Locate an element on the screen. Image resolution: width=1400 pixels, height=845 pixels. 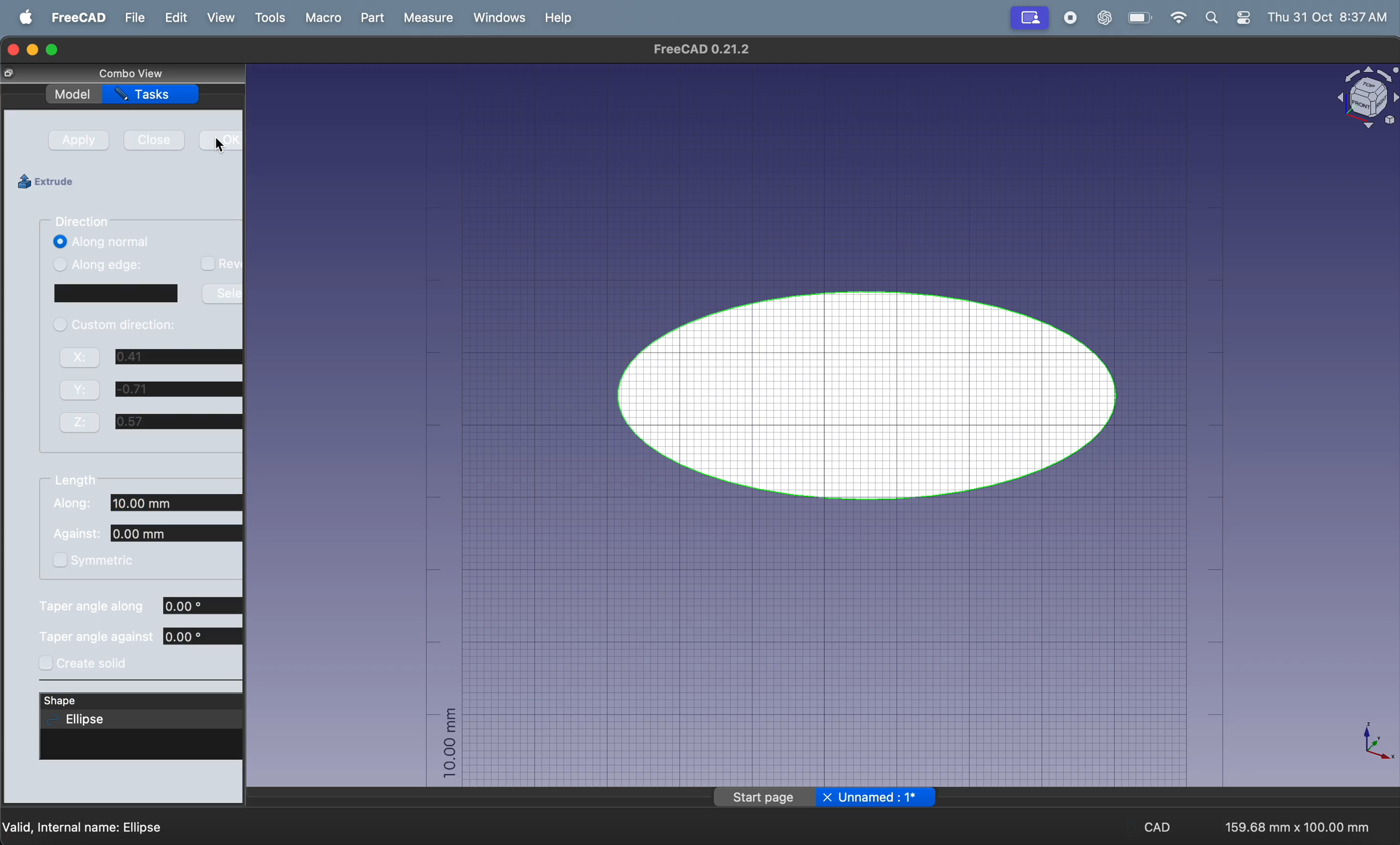
color is located at coordinates (114, 294).